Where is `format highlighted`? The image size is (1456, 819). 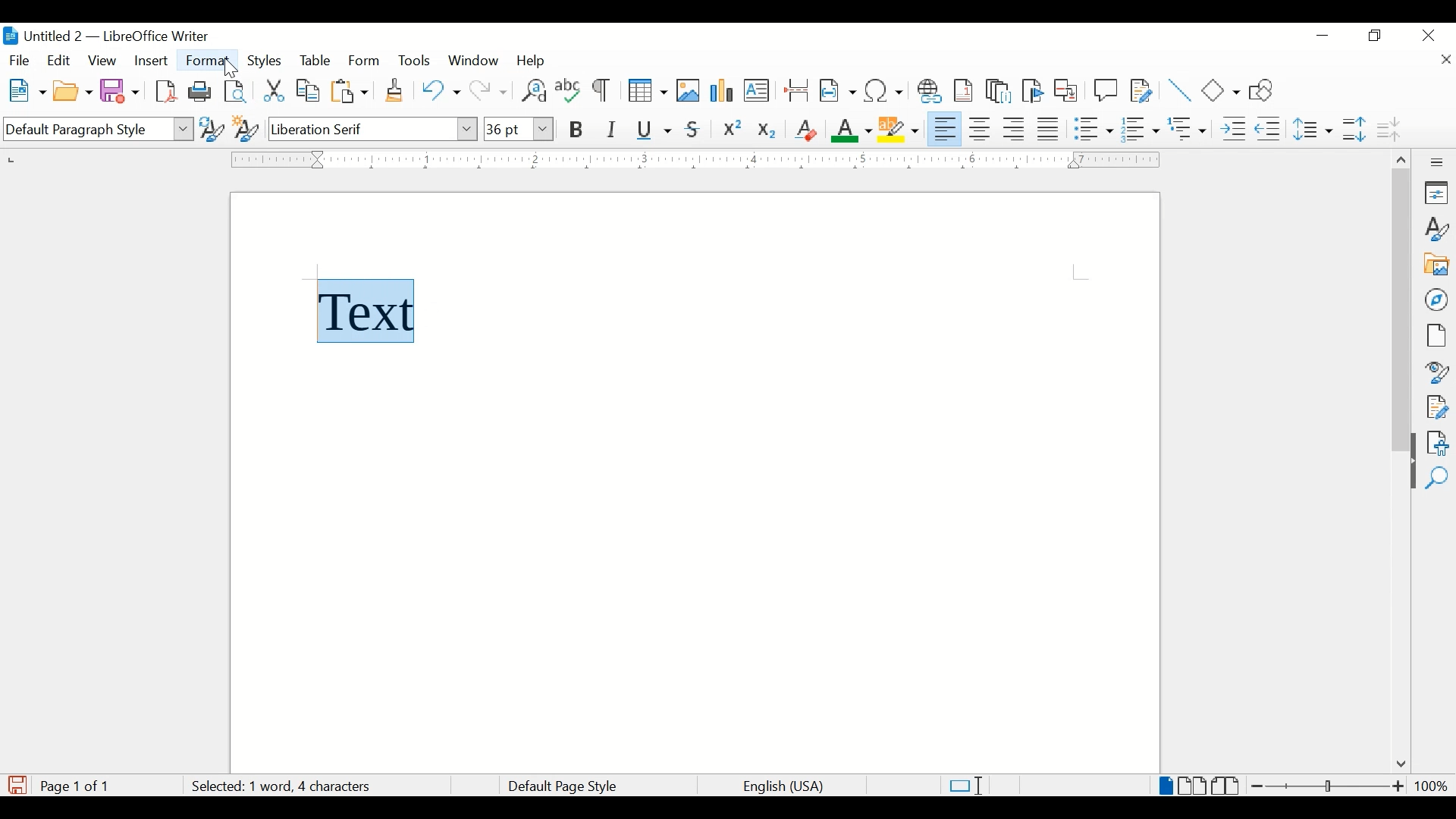
format highlighted is located at coordinates (209, 61).